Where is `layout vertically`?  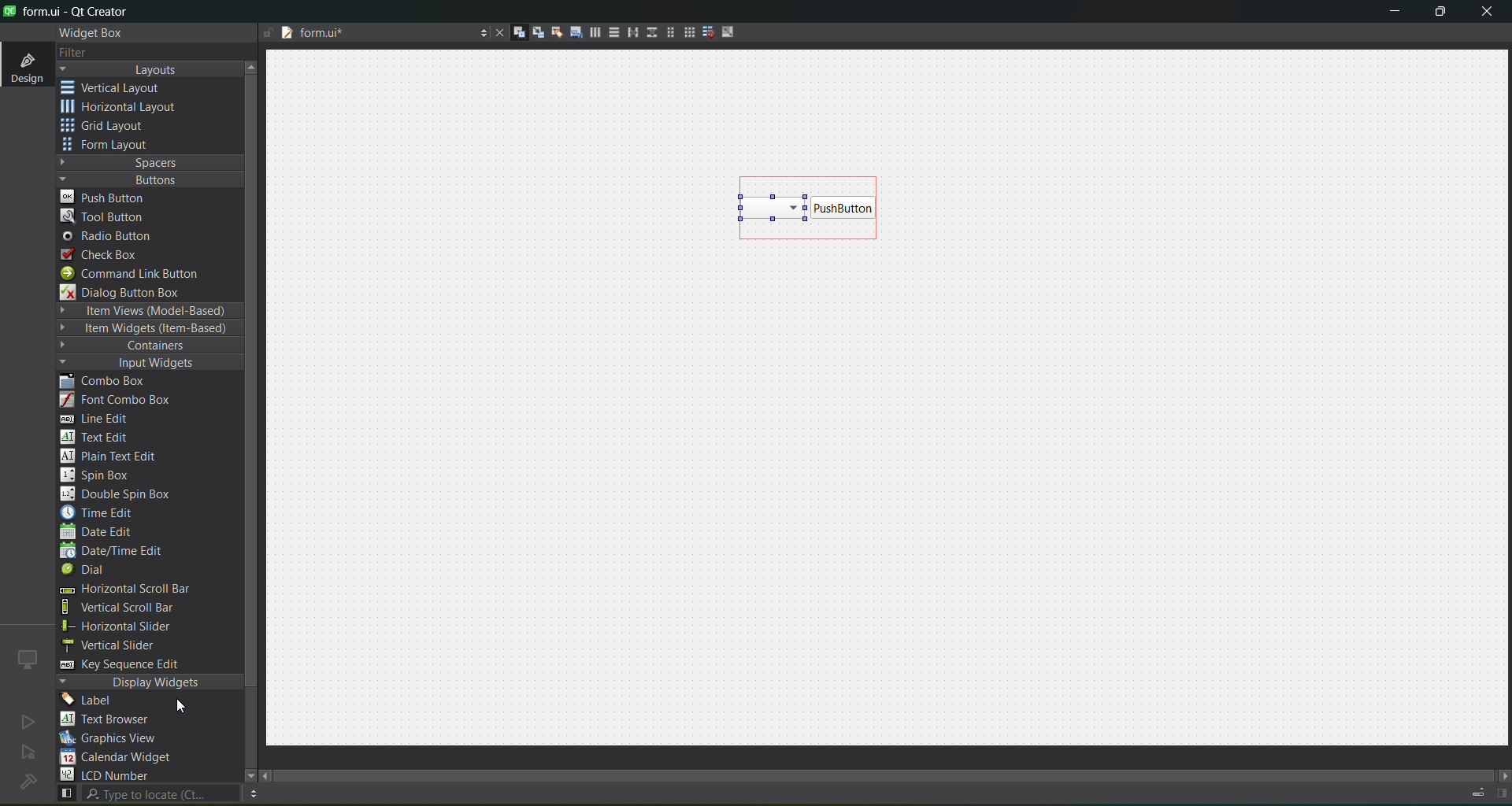 layout vertically is located at coordinates (610, 31).